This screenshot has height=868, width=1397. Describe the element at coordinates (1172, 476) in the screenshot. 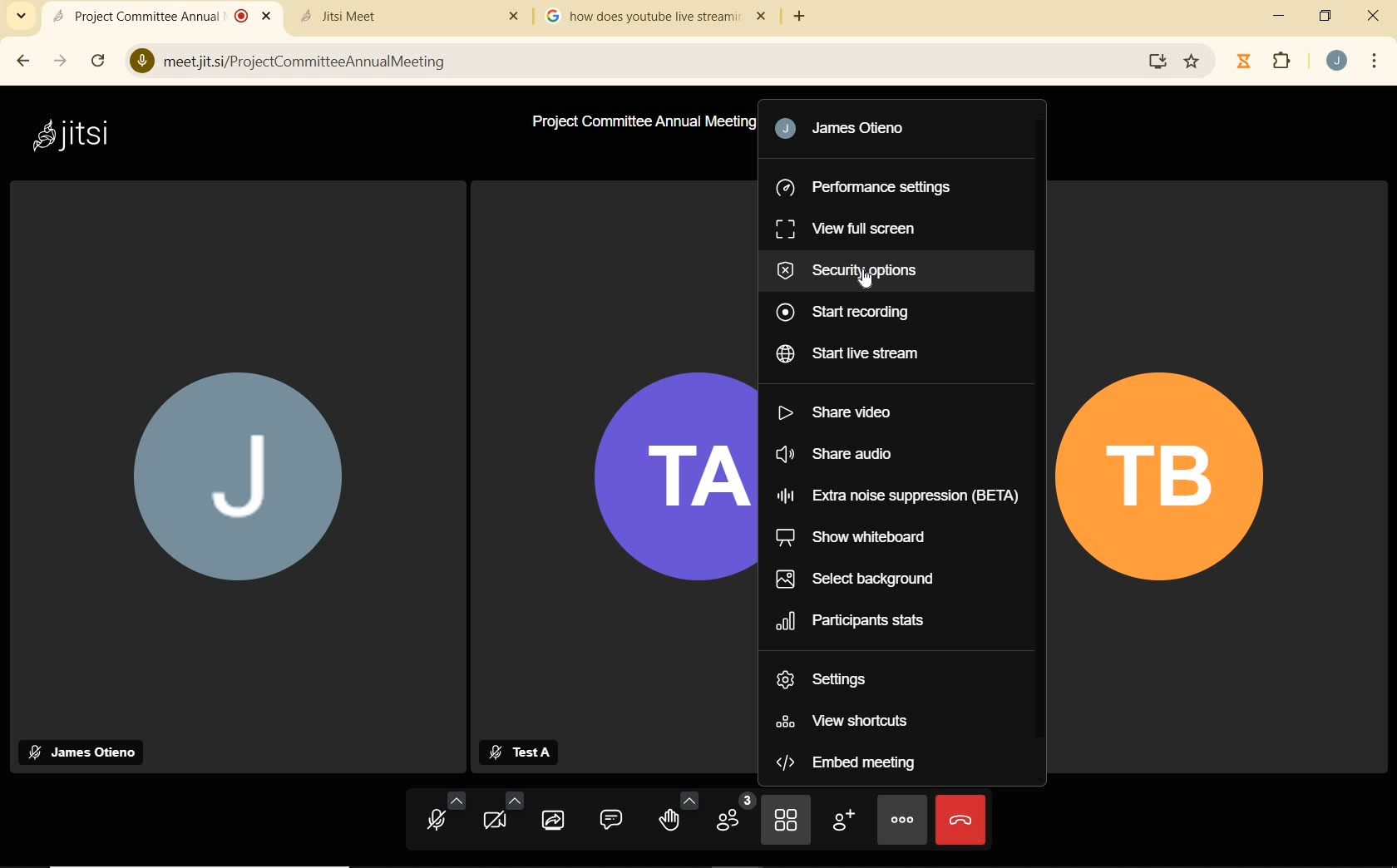

I see `TB` at that location.